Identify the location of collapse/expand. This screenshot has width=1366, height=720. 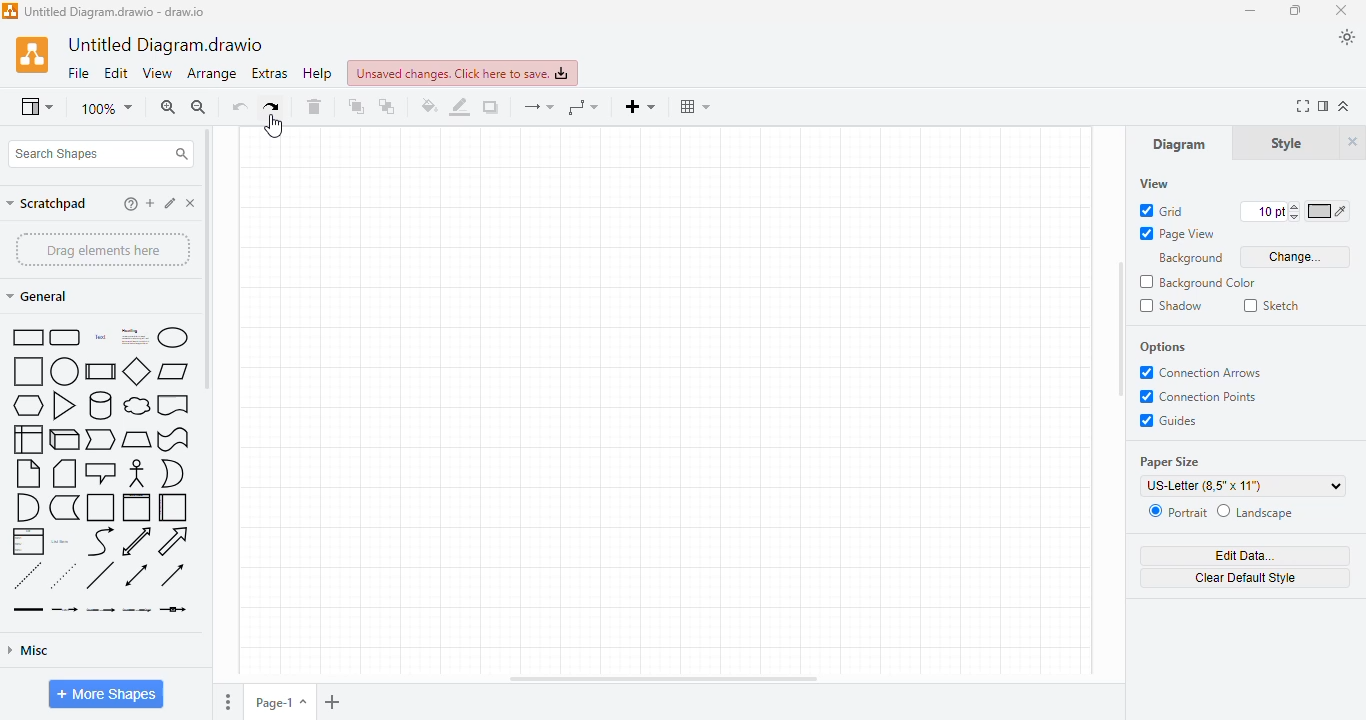
(1344, 106).